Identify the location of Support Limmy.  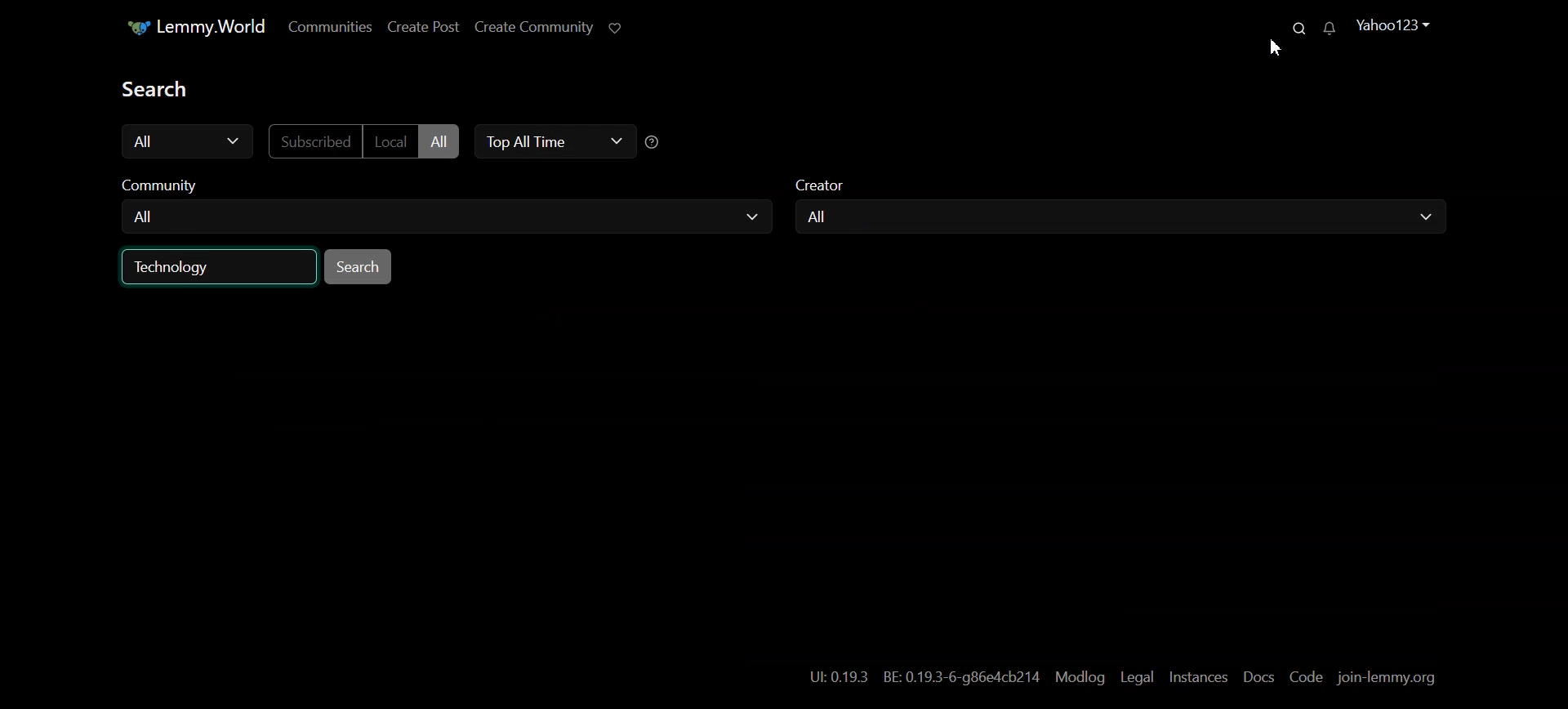
(615, 29).